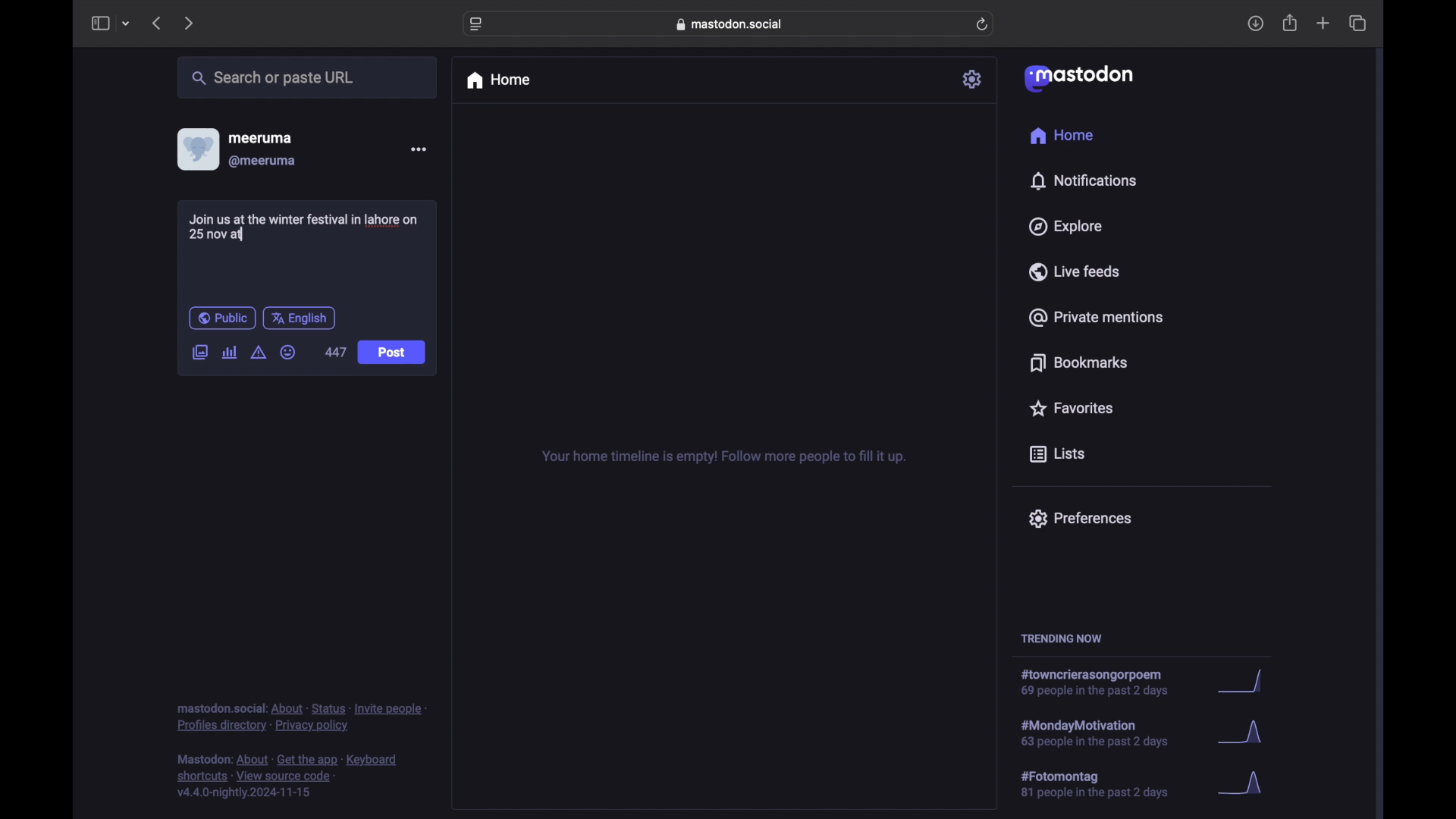 This screenshot has width=1456, height=819. I want to click on preferences, so click(1079, 517).